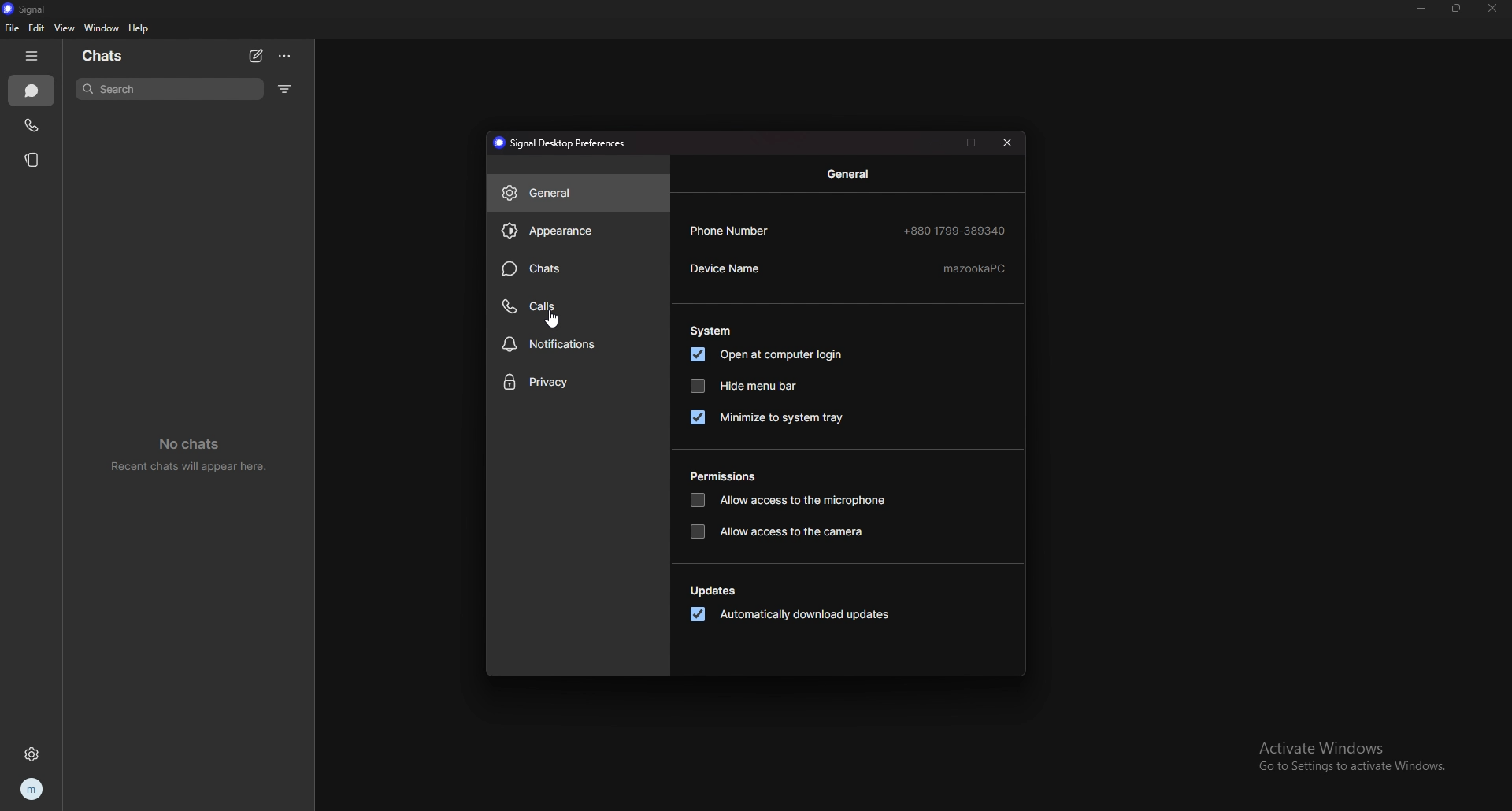 The image size is (1512, 811). Describe the element at coordinates (32, 9) in the screenshot. I see `signal` at that location.